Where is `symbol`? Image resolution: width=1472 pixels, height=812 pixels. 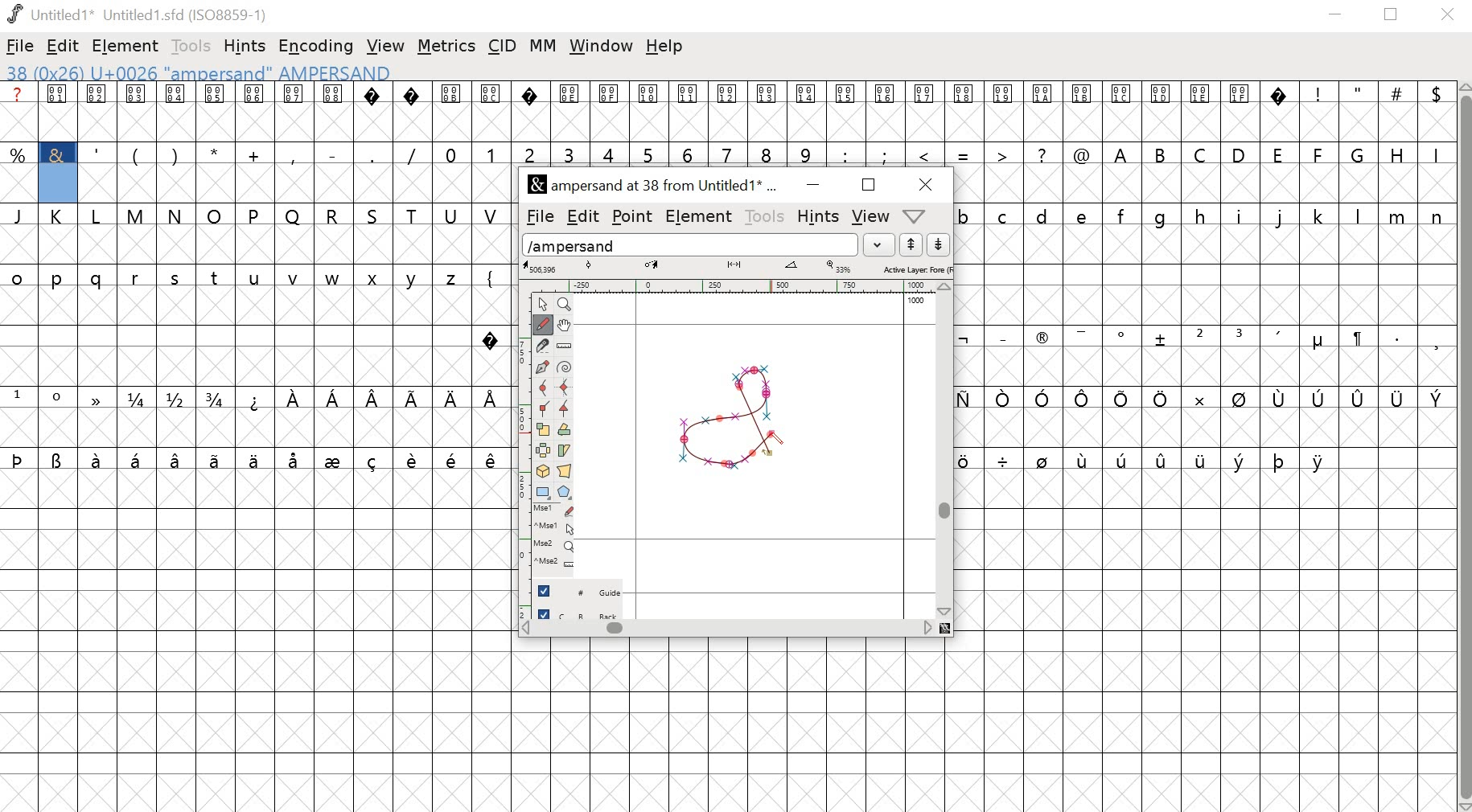 symbol is located at coordinates (333, 397).